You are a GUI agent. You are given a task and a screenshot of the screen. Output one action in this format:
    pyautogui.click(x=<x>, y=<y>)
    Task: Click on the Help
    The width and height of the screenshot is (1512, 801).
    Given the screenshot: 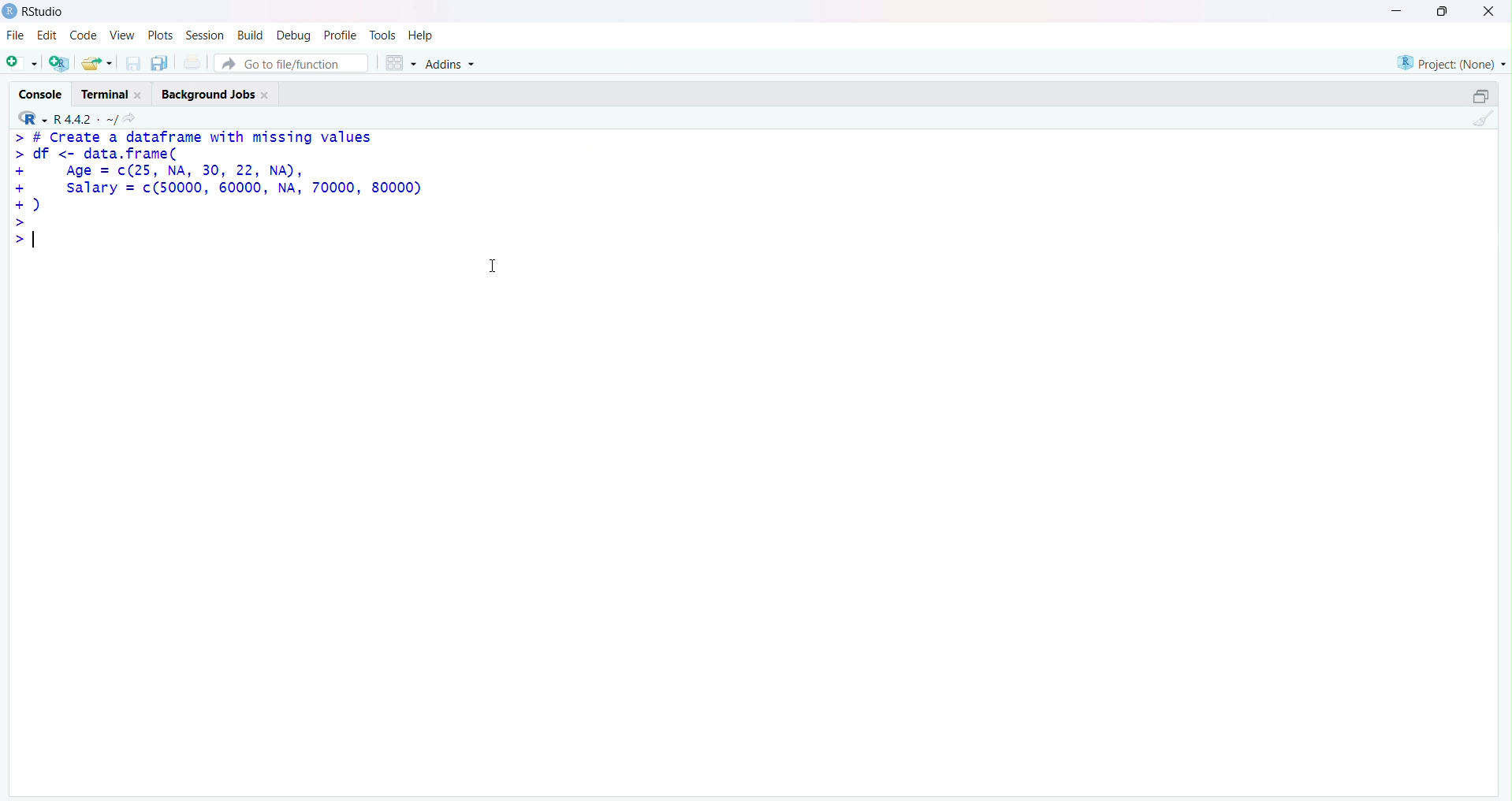 What is the action you would take?
    pyautogui.click(x=421, y=36)
    